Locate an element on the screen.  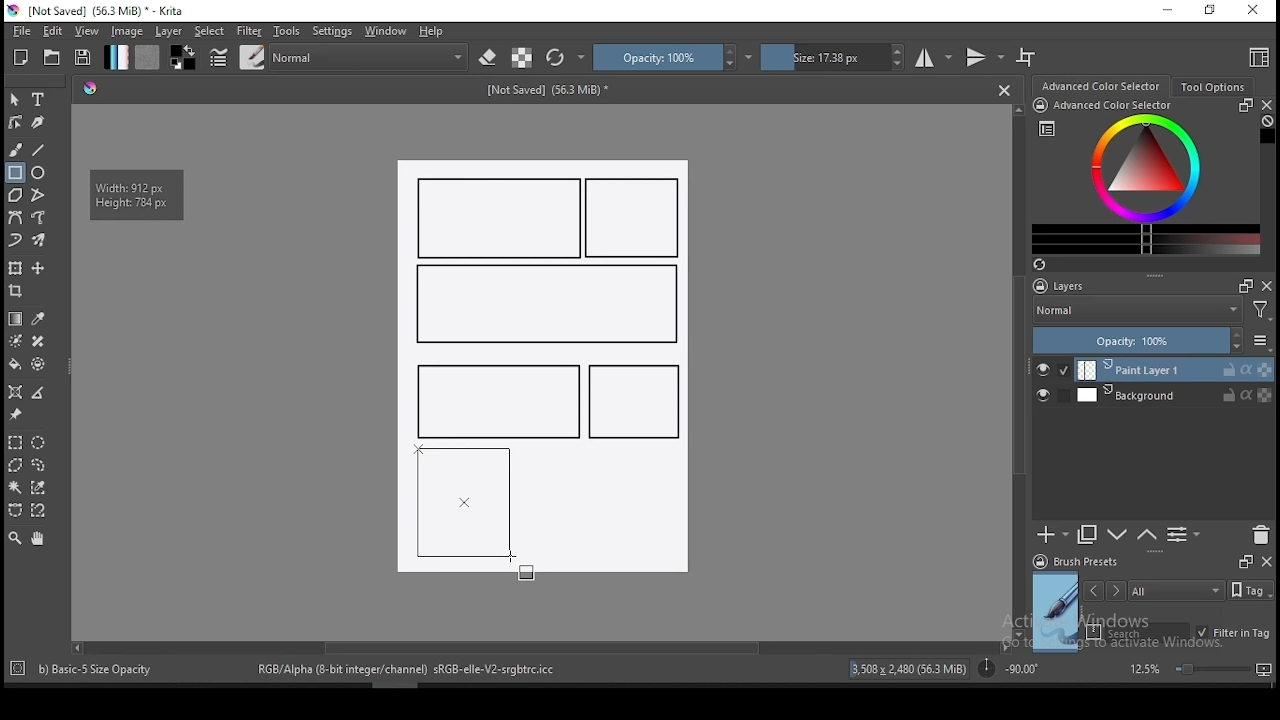
Refresh is located at coordinates (1047, 266).